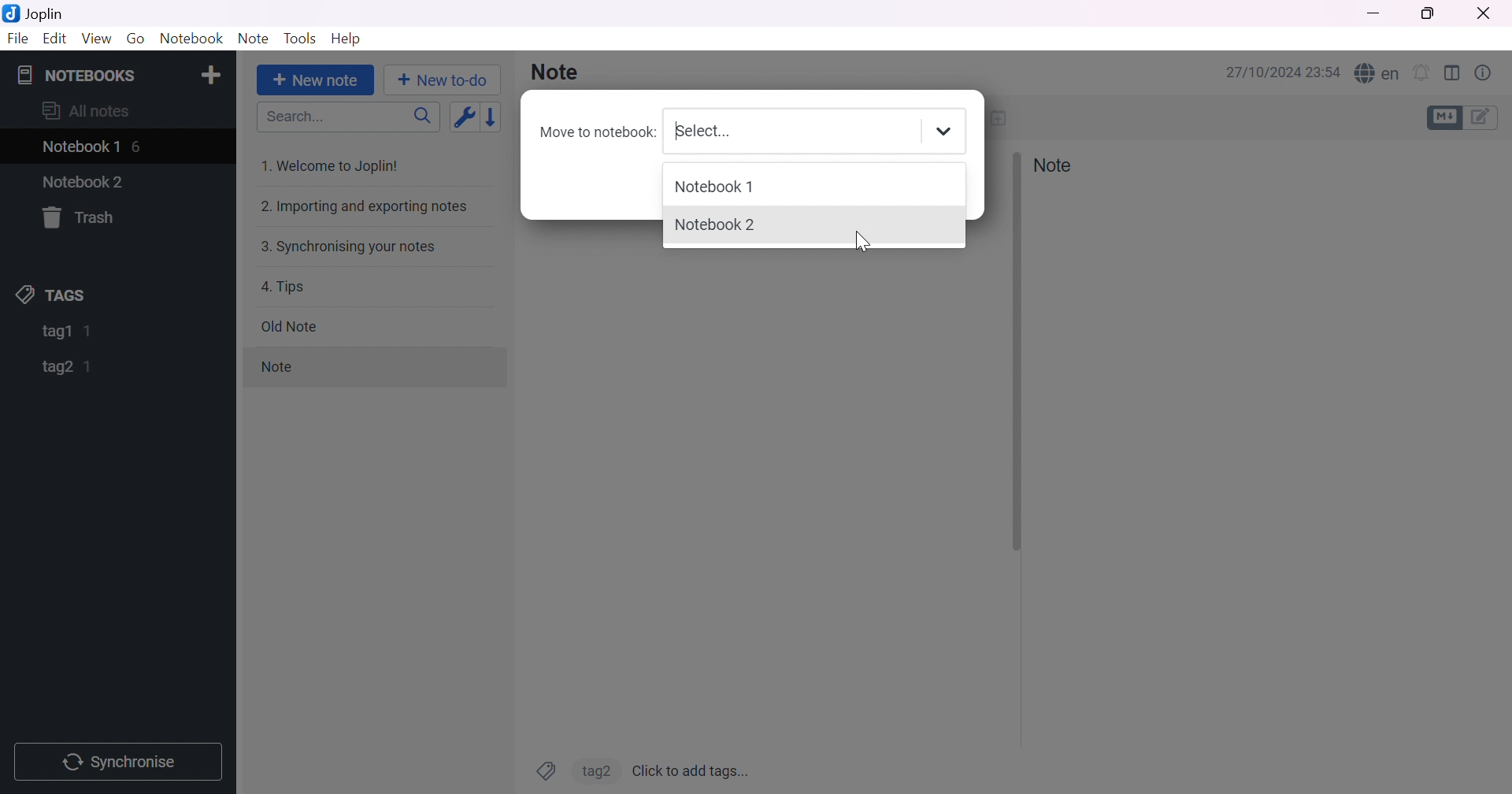  Describe the element at coordinates (595, 770) in the screenshot. I see `tag2` at that location.